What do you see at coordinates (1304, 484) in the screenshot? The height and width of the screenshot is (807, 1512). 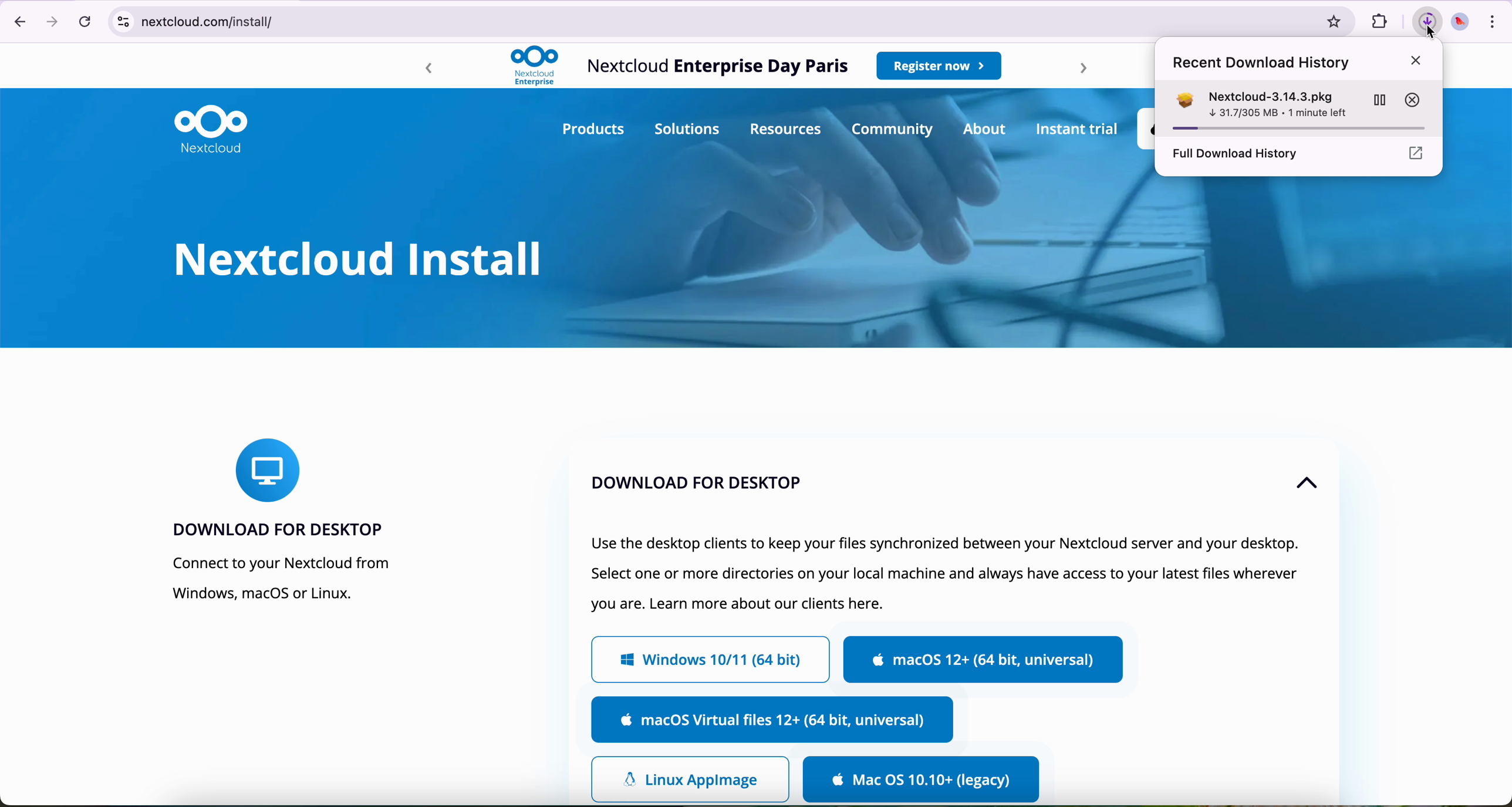 I see `up arrow` at bounding box center [1304, 484].